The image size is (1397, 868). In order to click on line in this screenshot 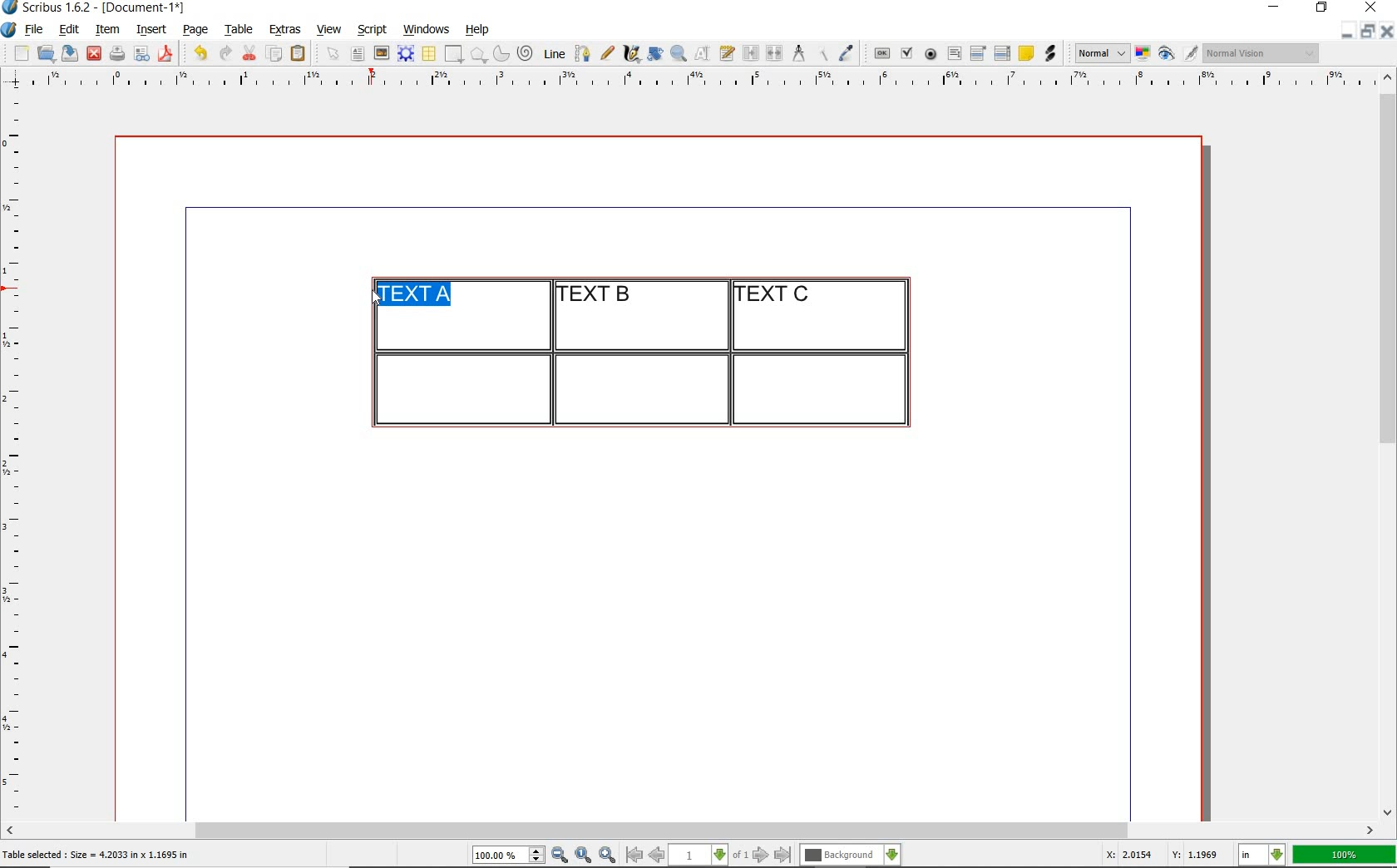, I will do `click(552, 53)`.